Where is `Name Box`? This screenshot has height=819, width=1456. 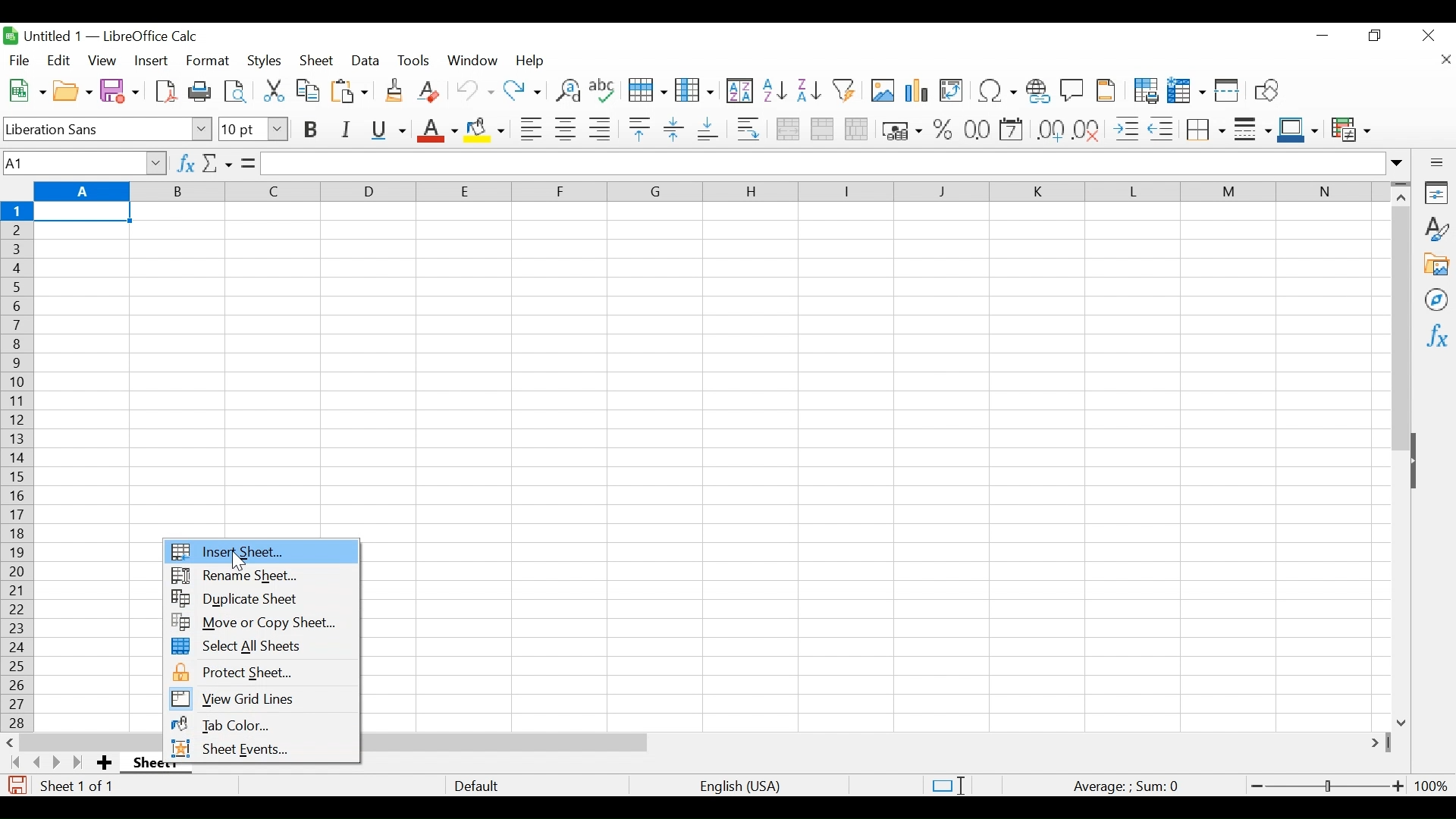
Name Box is located at coordinates (83, 162).